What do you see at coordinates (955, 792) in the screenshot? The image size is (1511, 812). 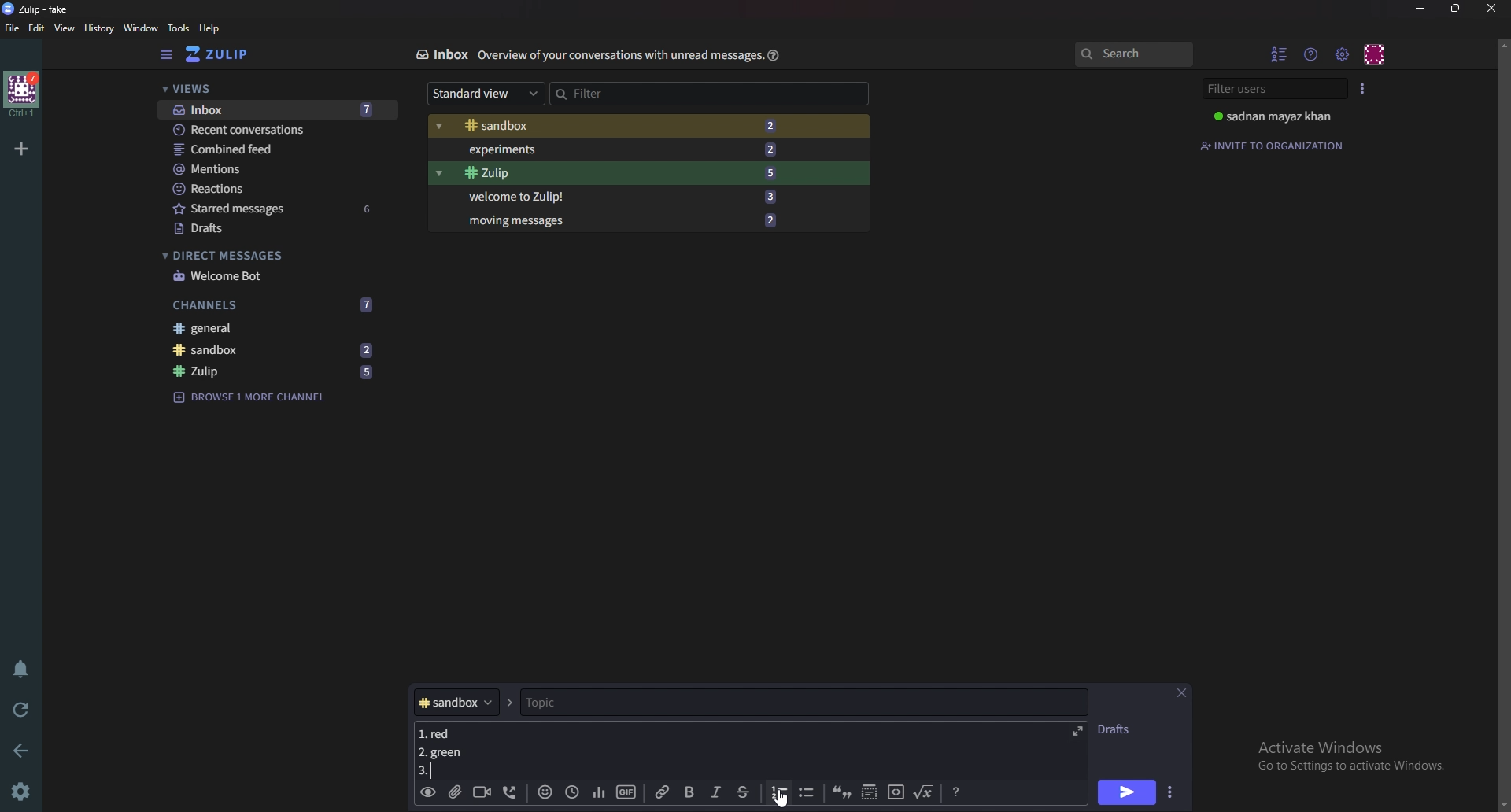 I see `Message formatting` at bounding box center [955, 792].